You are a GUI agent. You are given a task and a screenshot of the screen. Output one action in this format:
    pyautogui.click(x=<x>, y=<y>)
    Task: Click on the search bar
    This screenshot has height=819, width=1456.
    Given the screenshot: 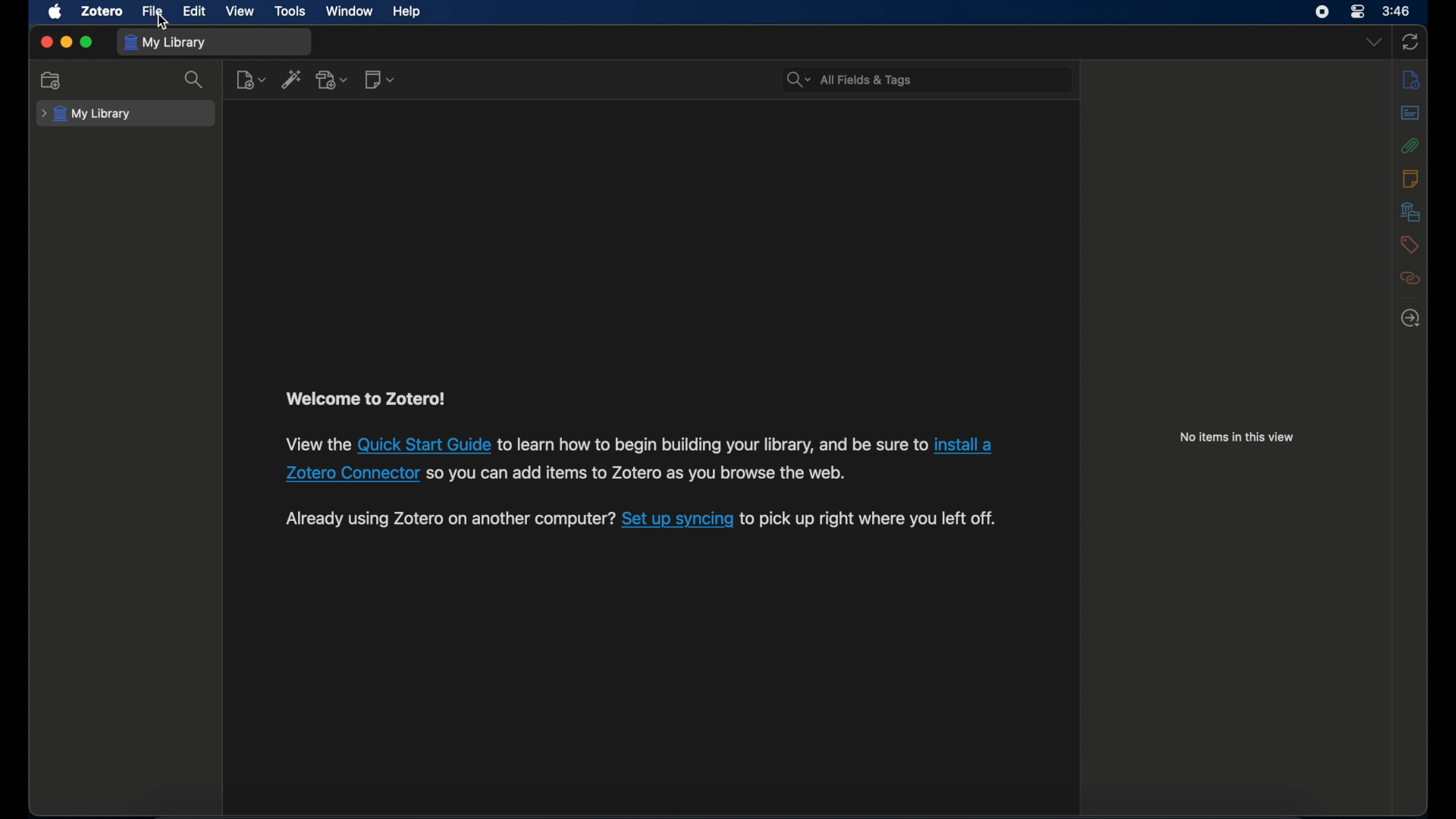 What is the action you would take?
    pyautogui.click(x=850, y=80)
    